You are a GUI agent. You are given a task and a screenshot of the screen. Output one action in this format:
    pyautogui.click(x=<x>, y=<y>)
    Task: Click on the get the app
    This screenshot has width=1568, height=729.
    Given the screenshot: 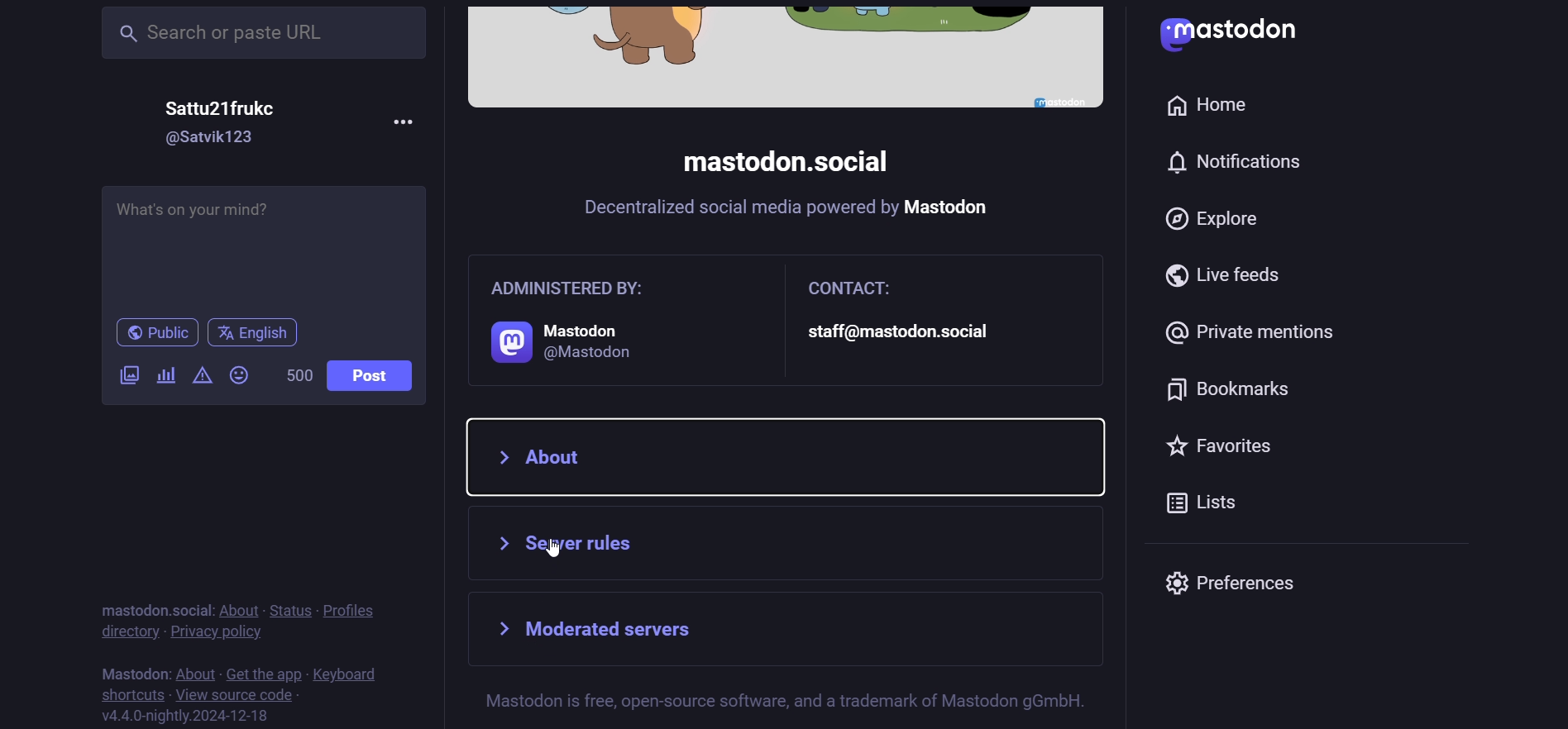 What is the action you would take?
    pyautogui.click(x=264, y=671)
    